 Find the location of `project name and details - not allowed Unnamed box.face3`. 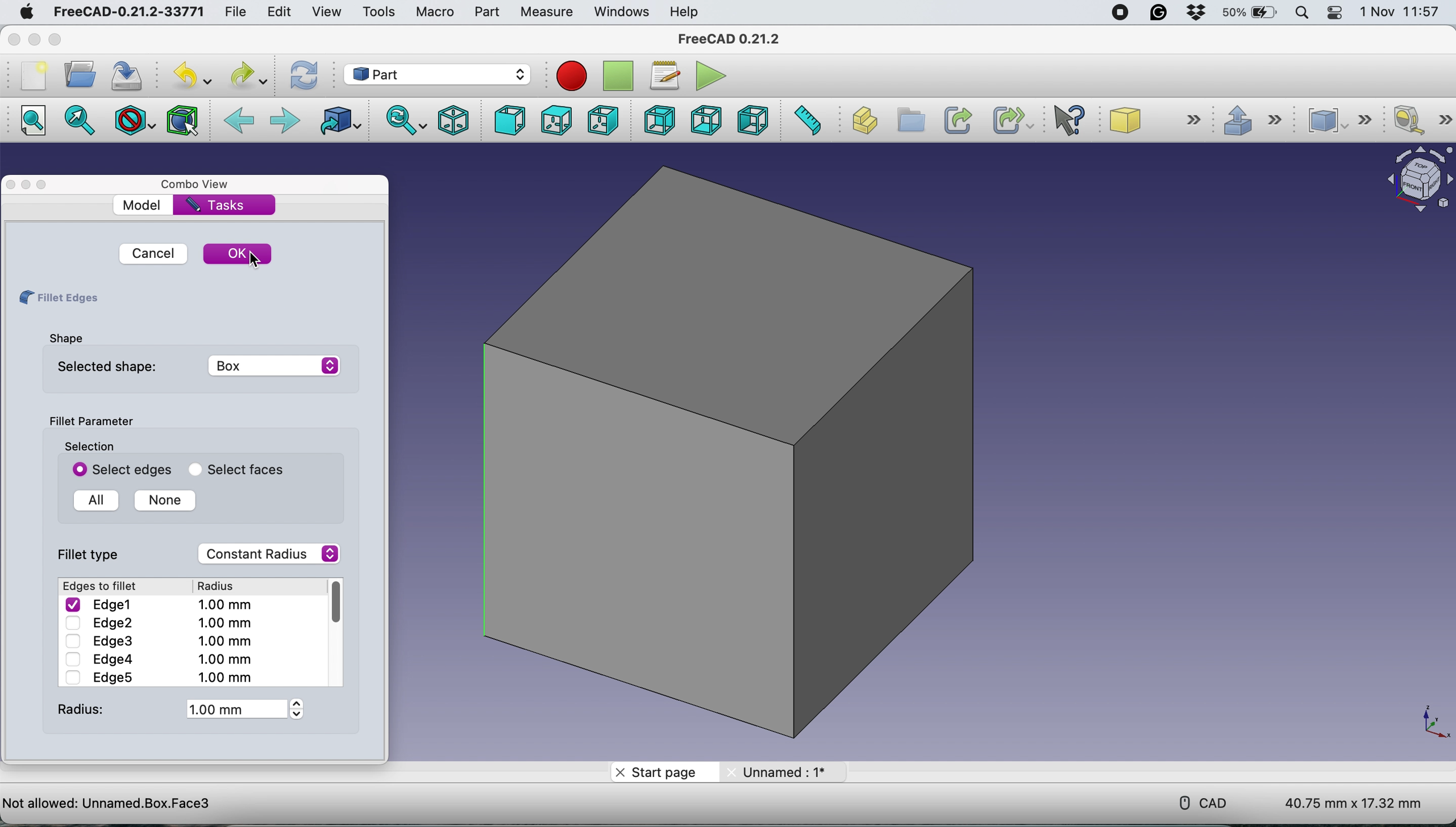

project name and details - not allowed Unnamed box.face3 is located at coordinates (253, 802).